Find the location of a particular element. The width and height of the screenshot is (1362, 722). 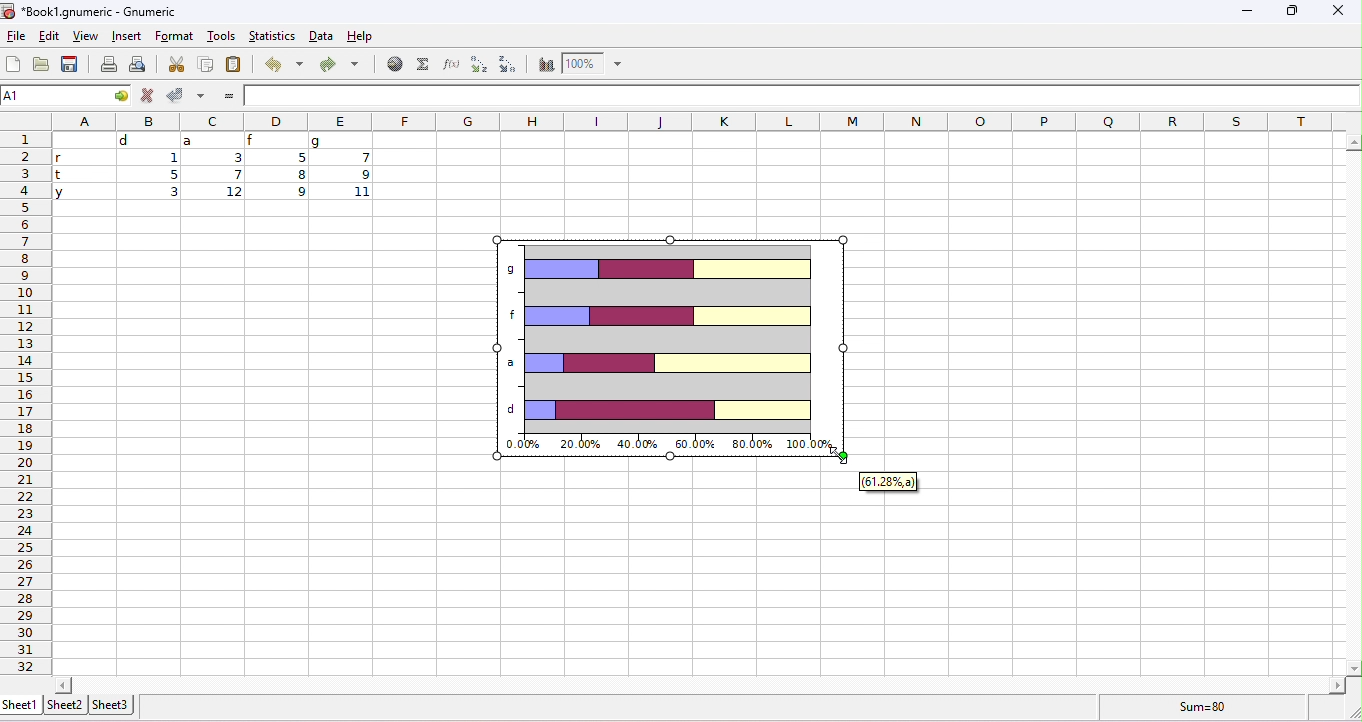

save is located at coordinates (70, 63).